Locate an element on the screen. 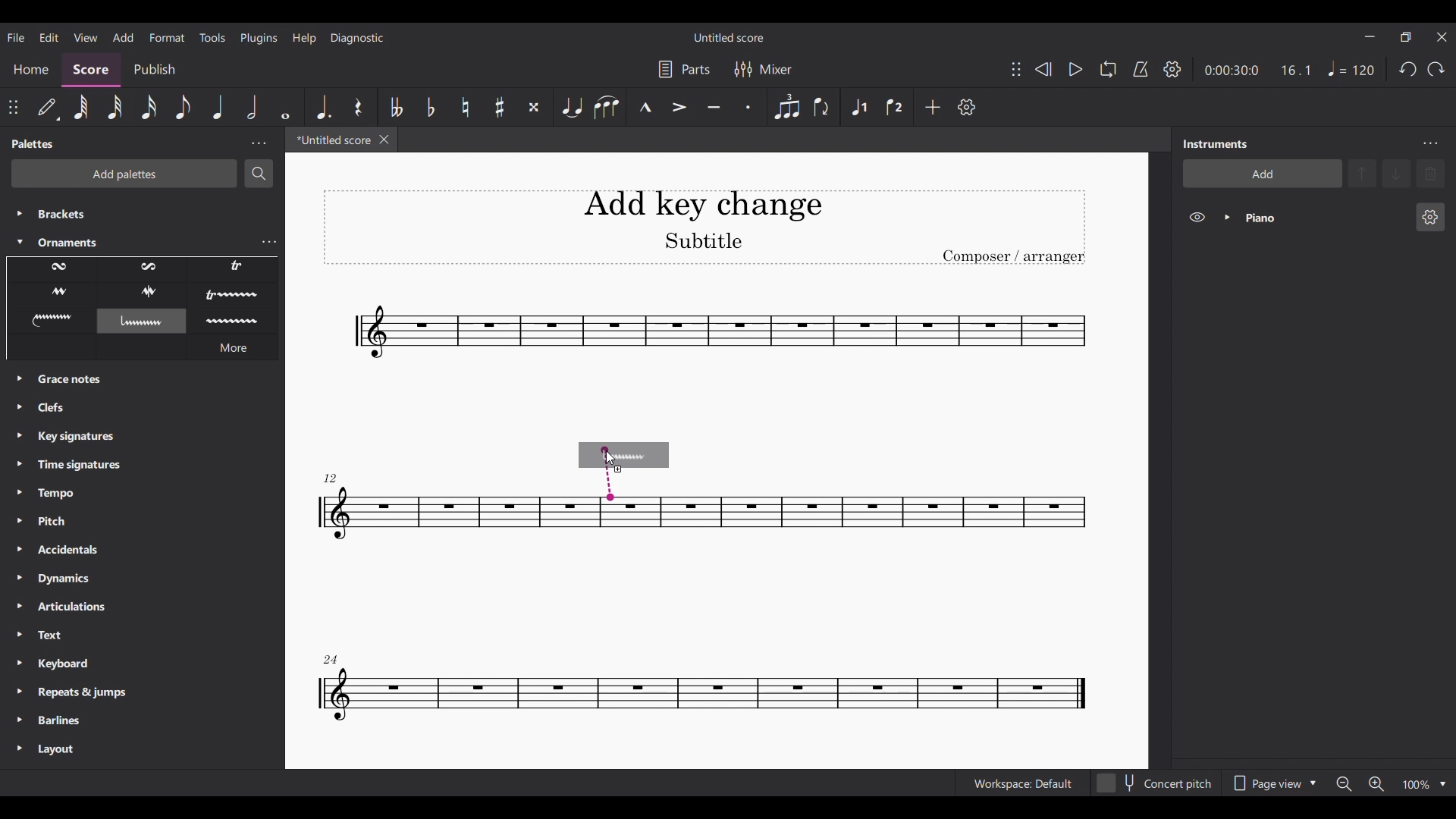  Toggle flat is located at coordinates (431, 108).